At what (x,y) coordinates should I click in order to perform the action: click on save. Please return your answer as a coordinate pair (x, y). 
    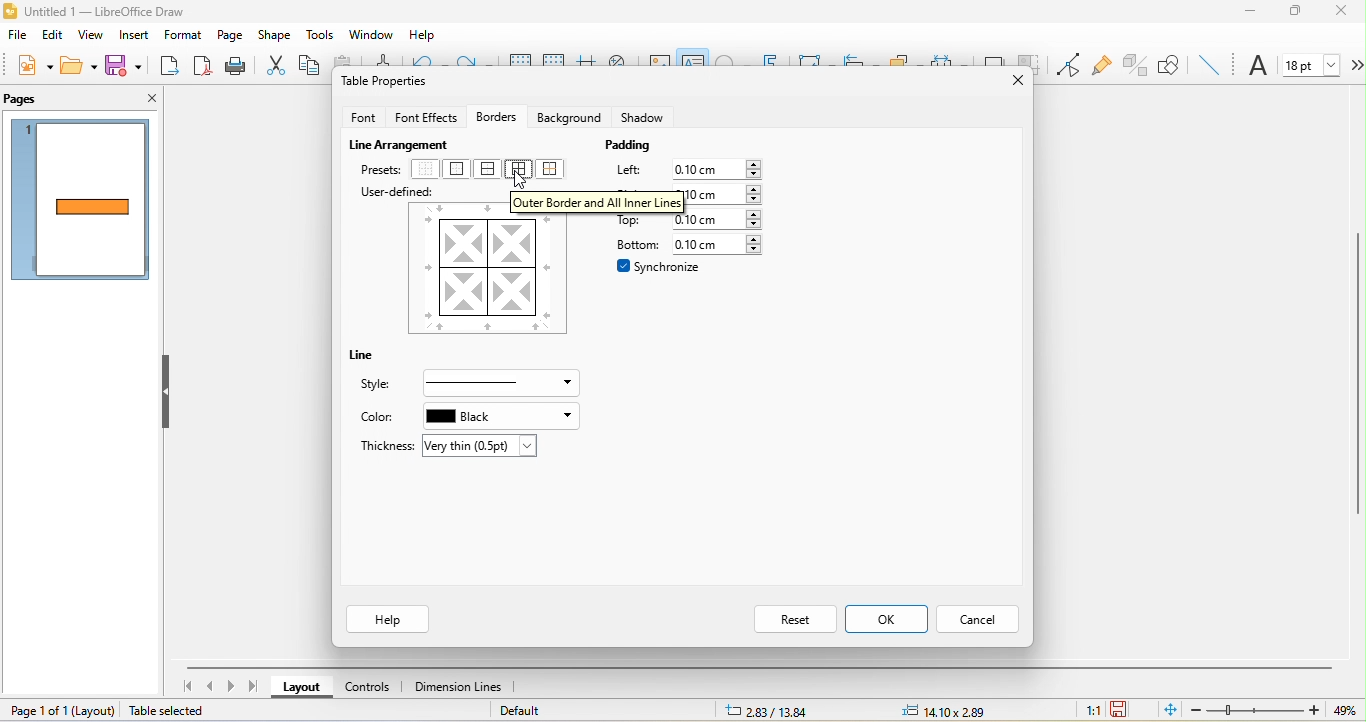
    Looking at the image, I should click on (123, 65).